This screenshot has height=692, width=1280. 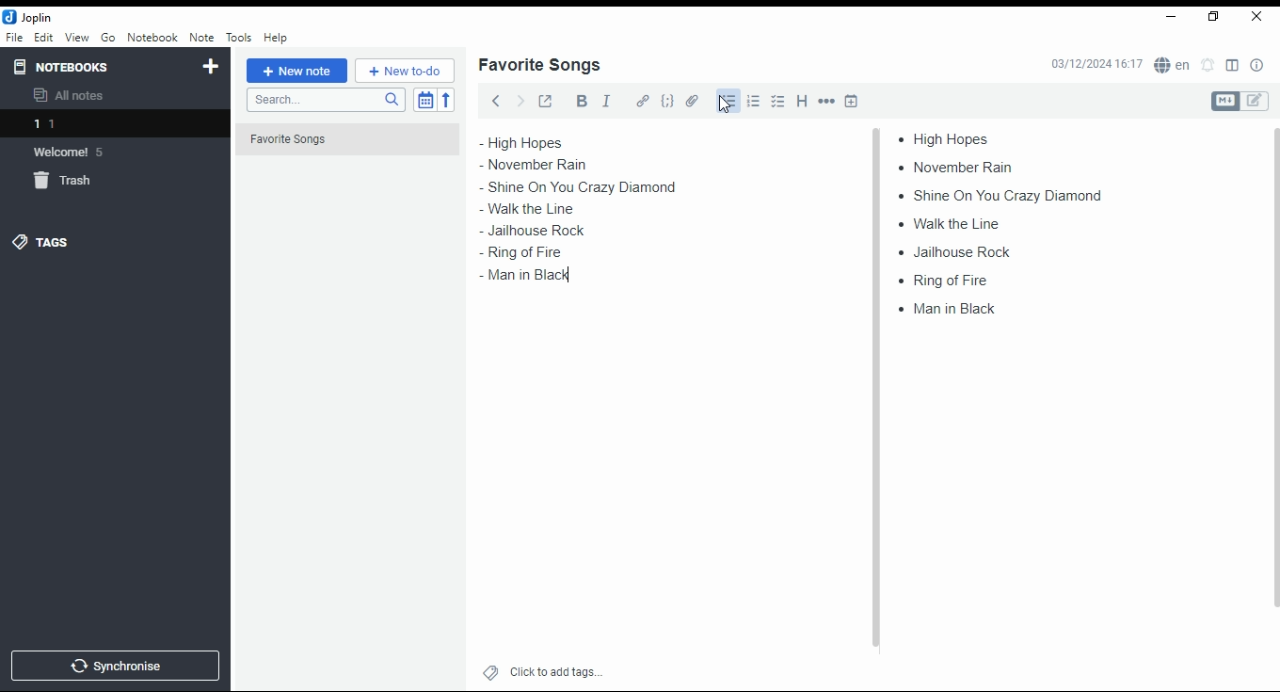 I want to click on walk ta line, so click(x=952, y=222).